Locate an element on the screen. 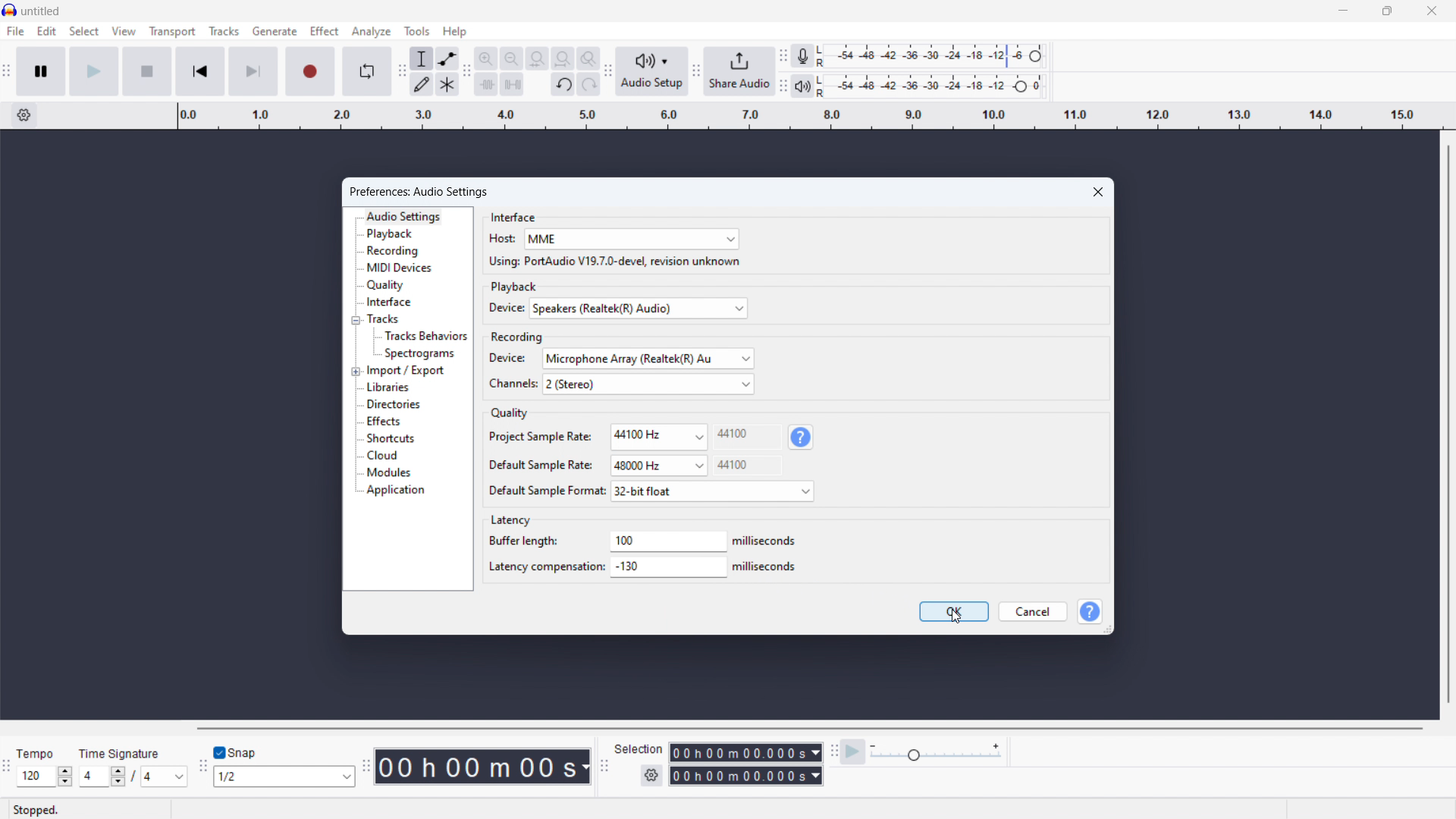  toggle zoom is located at coordinates (588, 58).